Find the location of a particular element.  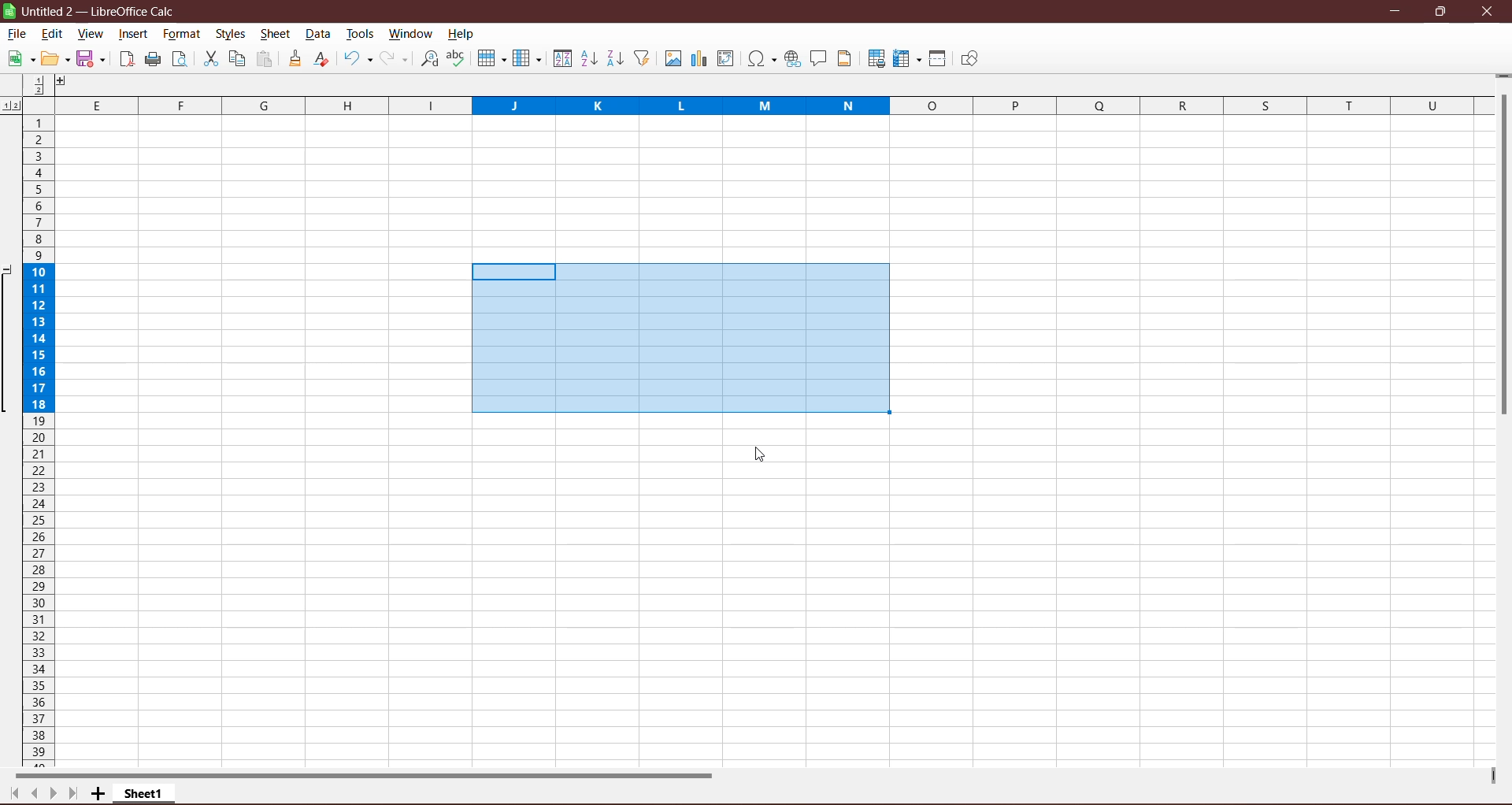

Clone Formatting is located at coordinates (296, 58).